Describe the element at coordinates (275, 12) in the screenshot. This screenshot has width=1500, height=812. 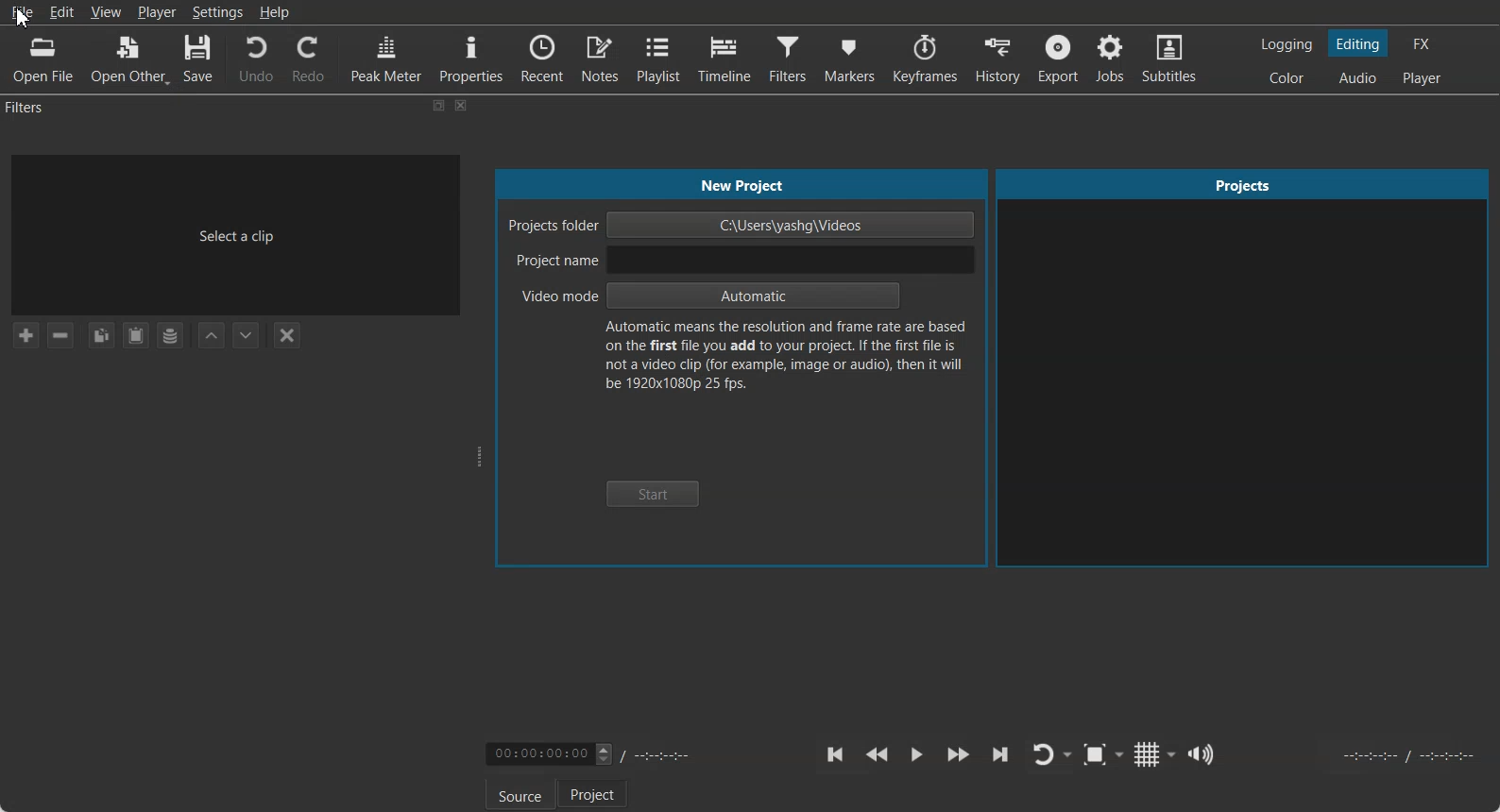
I see `Help` at that location.